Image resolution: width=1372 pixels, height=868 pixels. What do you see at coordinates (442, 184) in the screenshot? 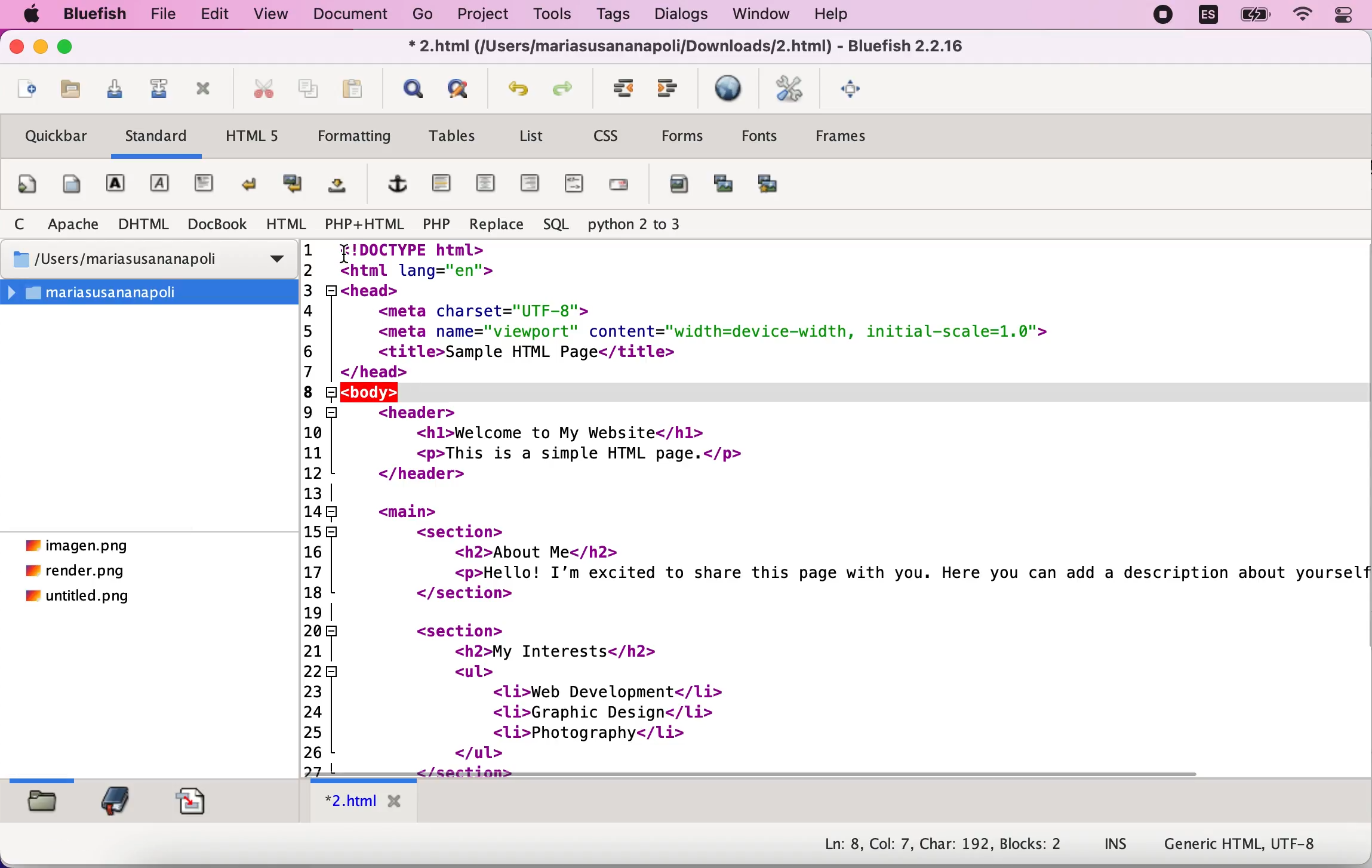
I see `horizontal rule` at bounding box center [442, 184].